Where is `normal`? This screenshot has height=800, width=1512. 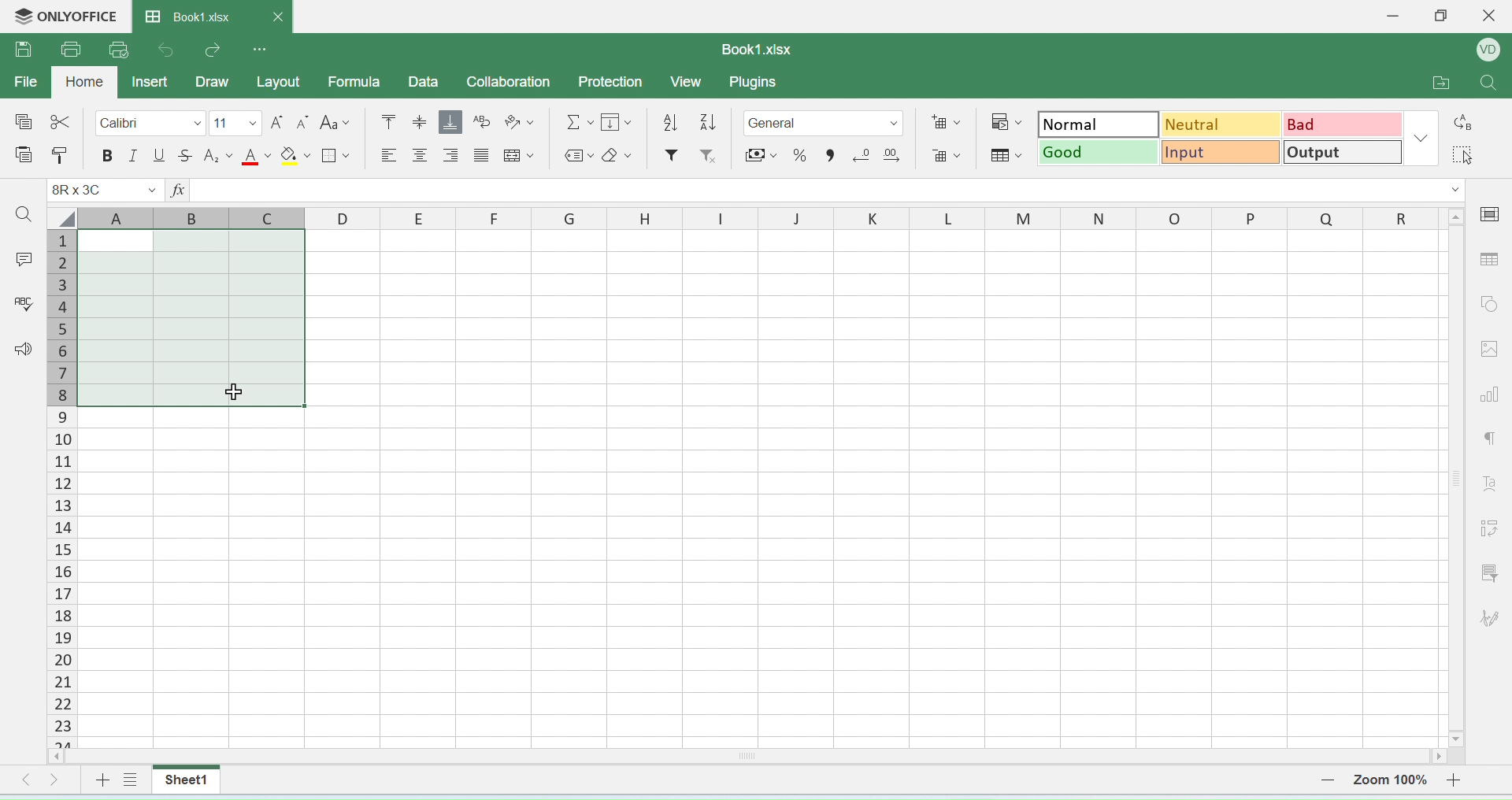 normal is located at coordinates (1095, 123).